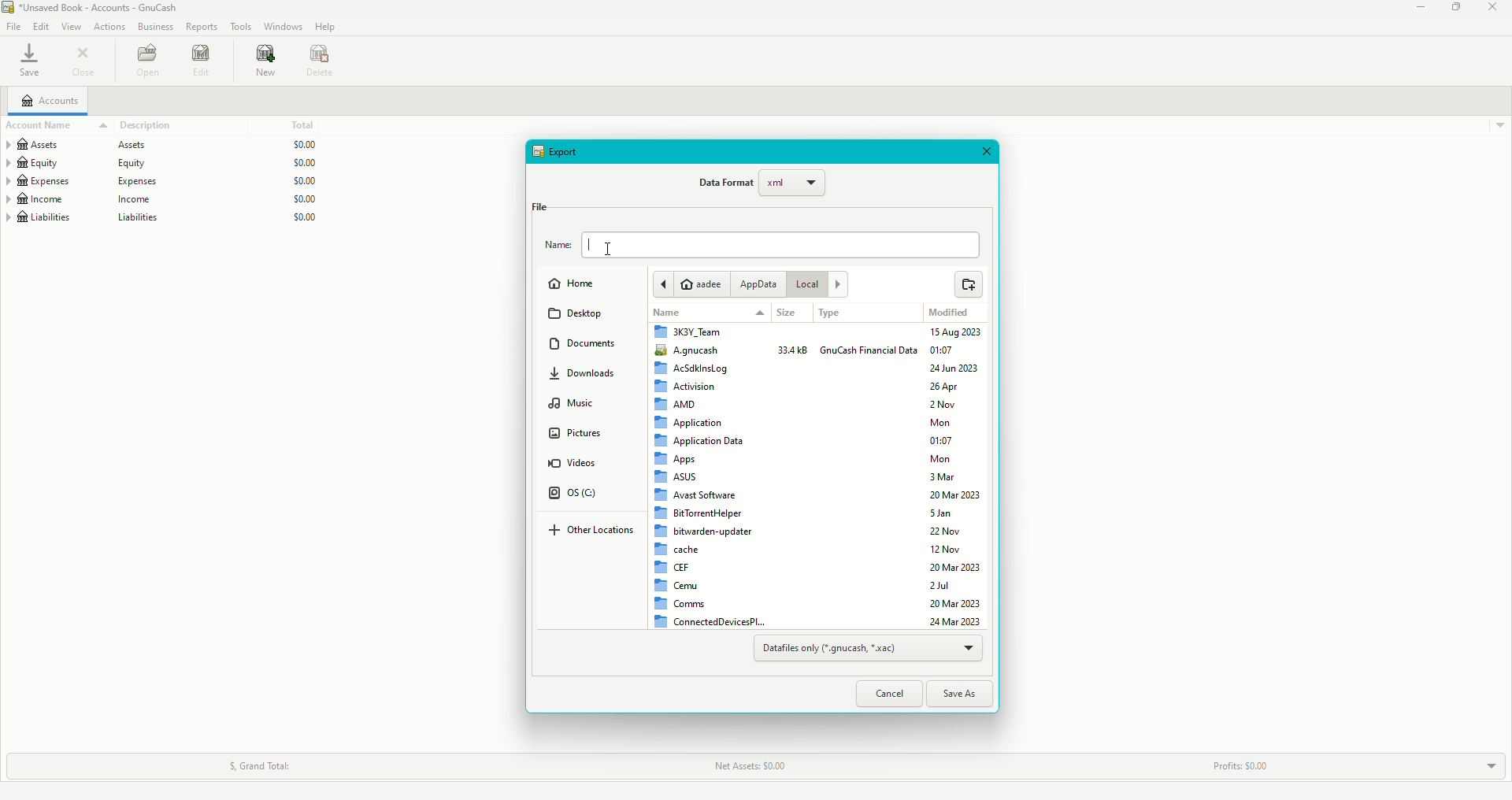 This screenshot has height=800, width=1512. I want to click on Folders, so click(710, 476).